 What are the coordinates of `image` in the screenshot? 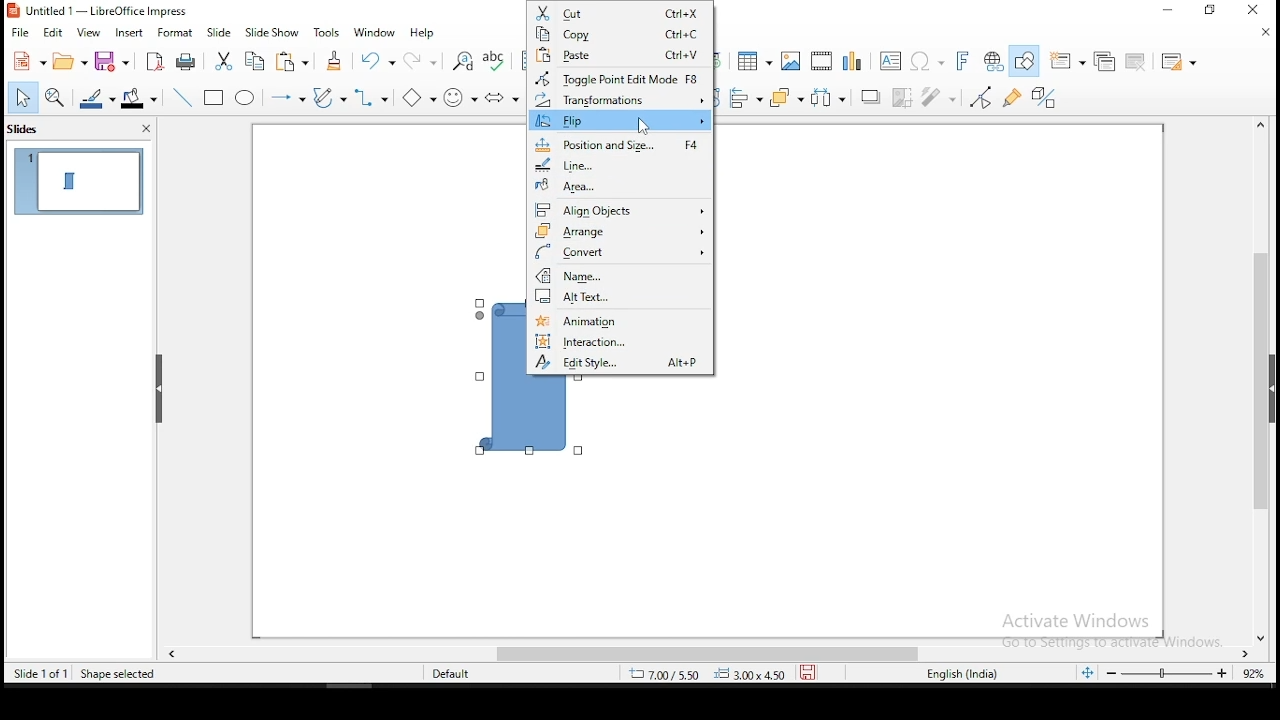 It's located at (792, 61).